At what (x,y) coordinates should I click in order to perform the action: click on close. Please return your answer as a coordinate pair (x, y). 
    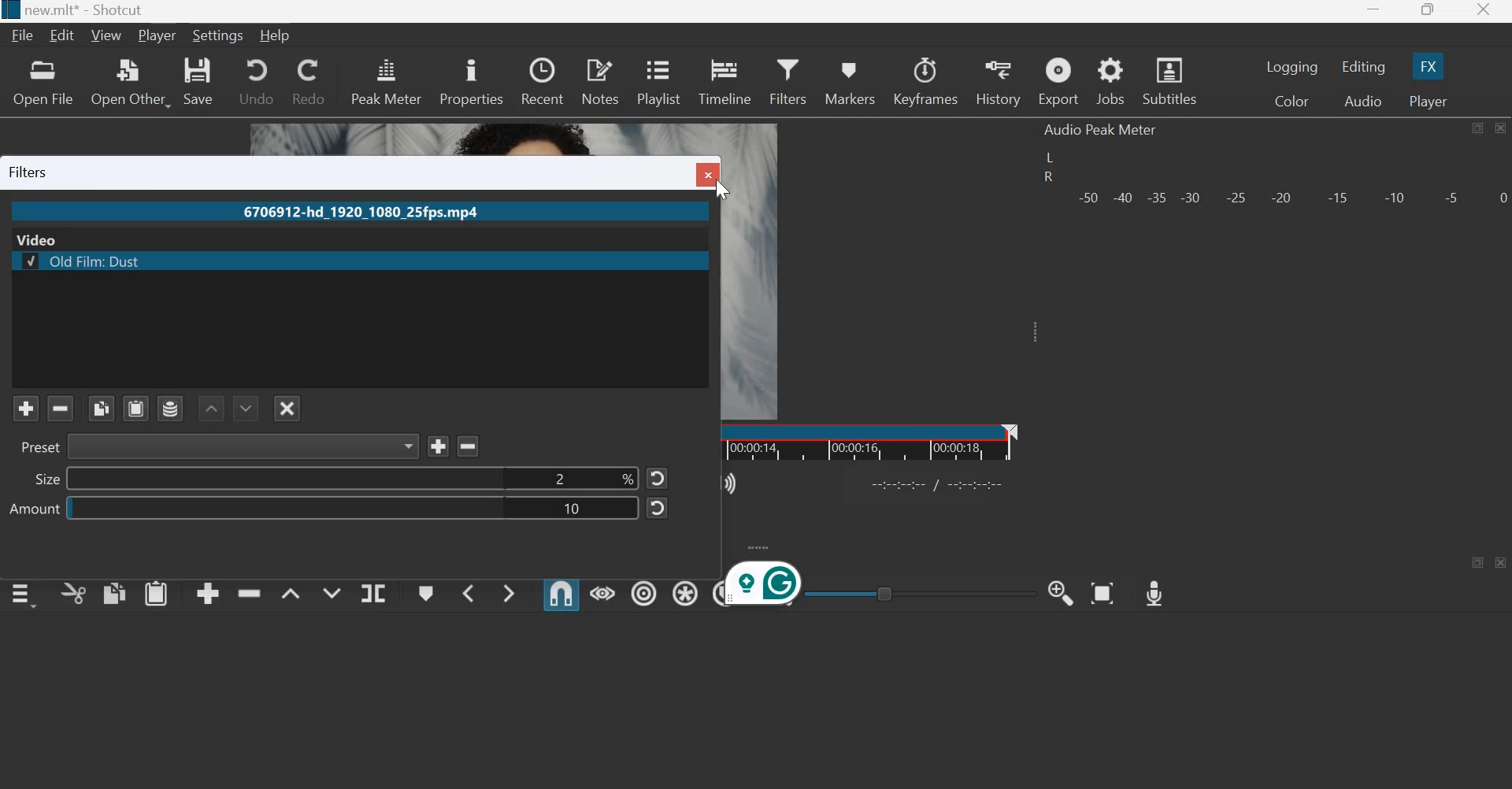
    Looking at the image, I should click on (1502, 563).